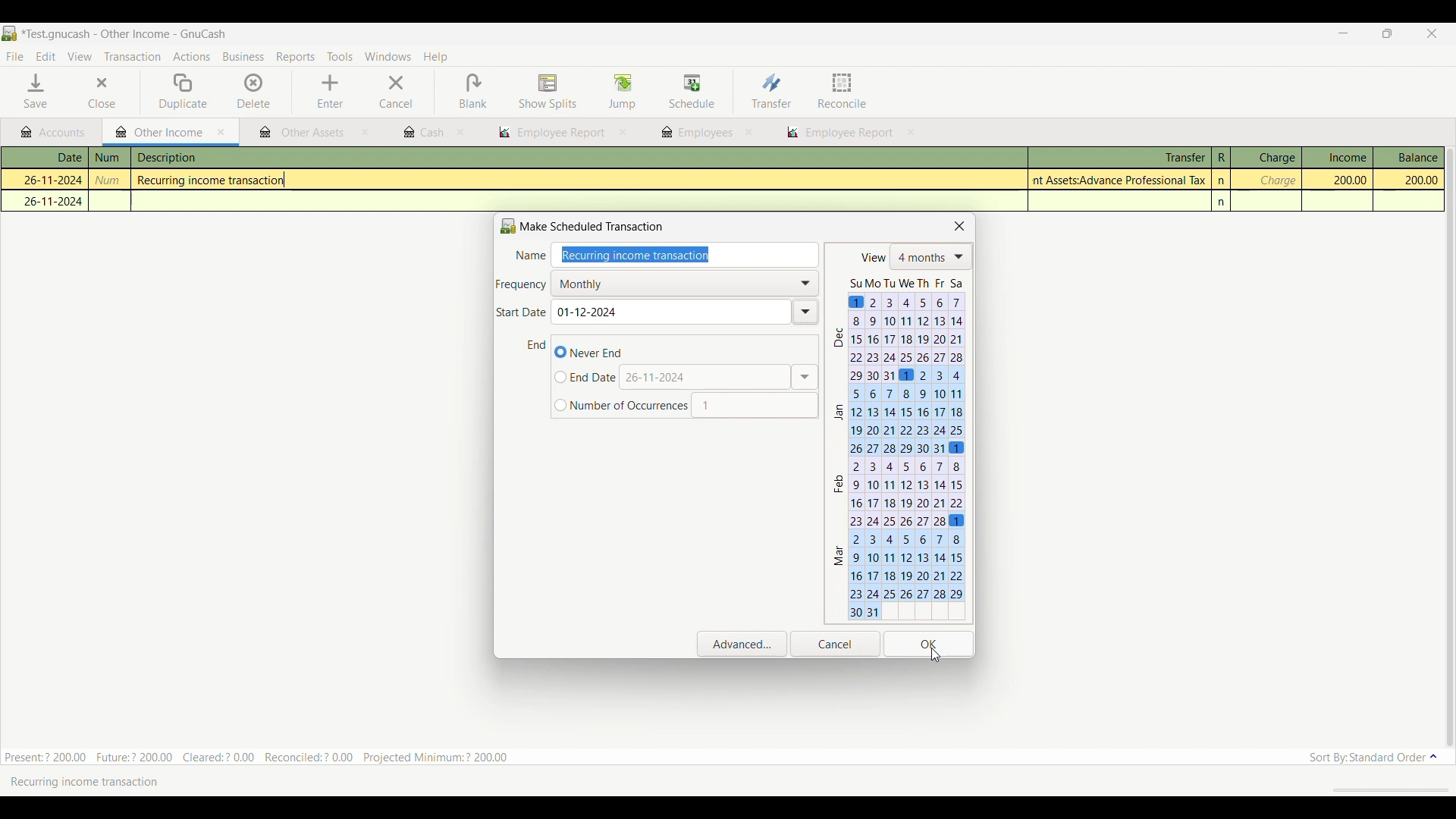 The width and height of the screenshot is (1456, 819). Describe the element at coordinates (835, 645) in the screenshot. I see `Cancel inputs` at that location.